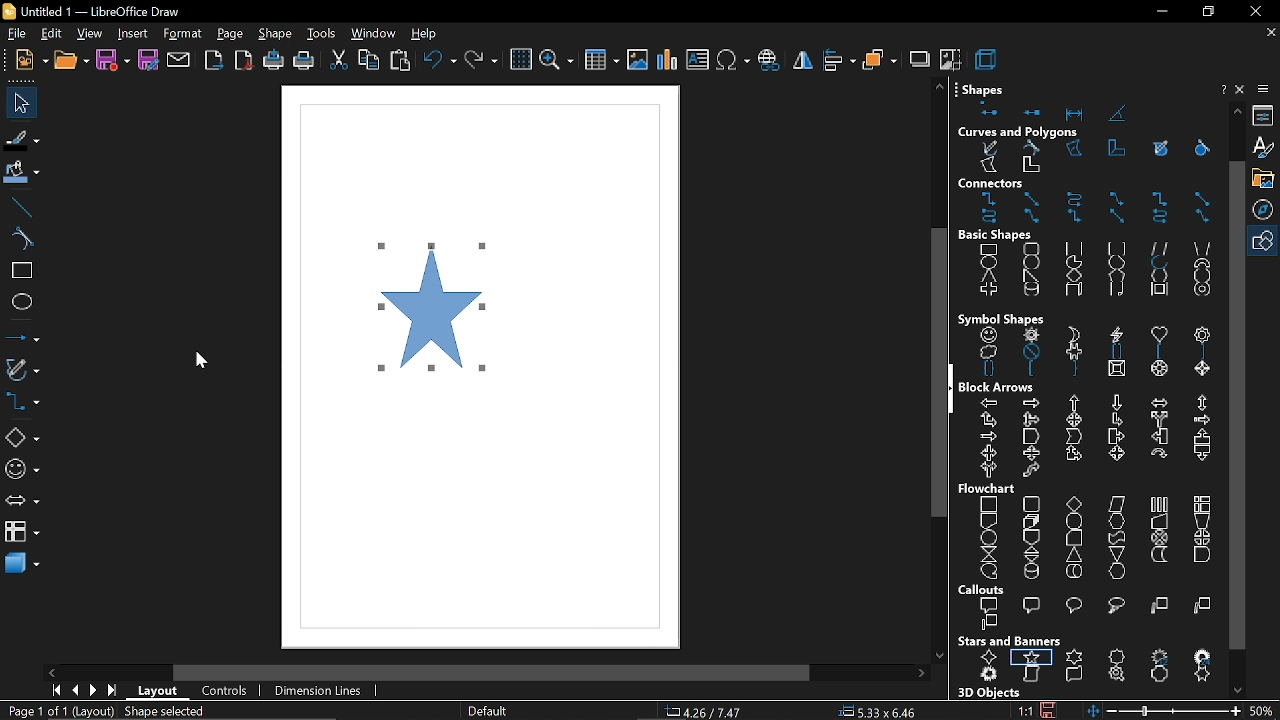 This screenshot has width=1280, height=720. I want to click on go to first page, so click(54, 690).